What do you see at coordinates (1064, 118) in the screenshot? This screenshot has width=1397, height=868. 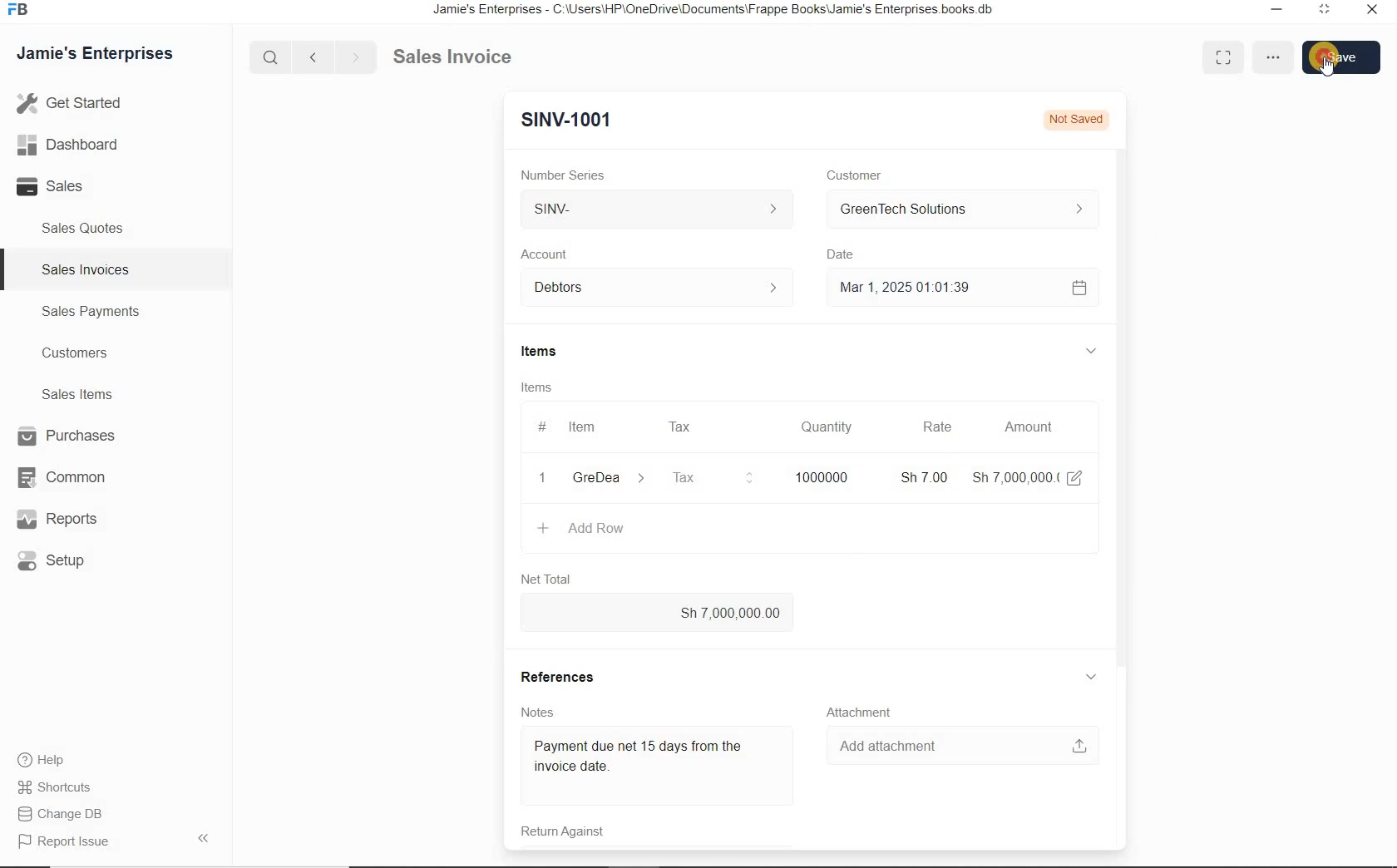 I see `Not Submitted` at bounding box center [1064, 118].